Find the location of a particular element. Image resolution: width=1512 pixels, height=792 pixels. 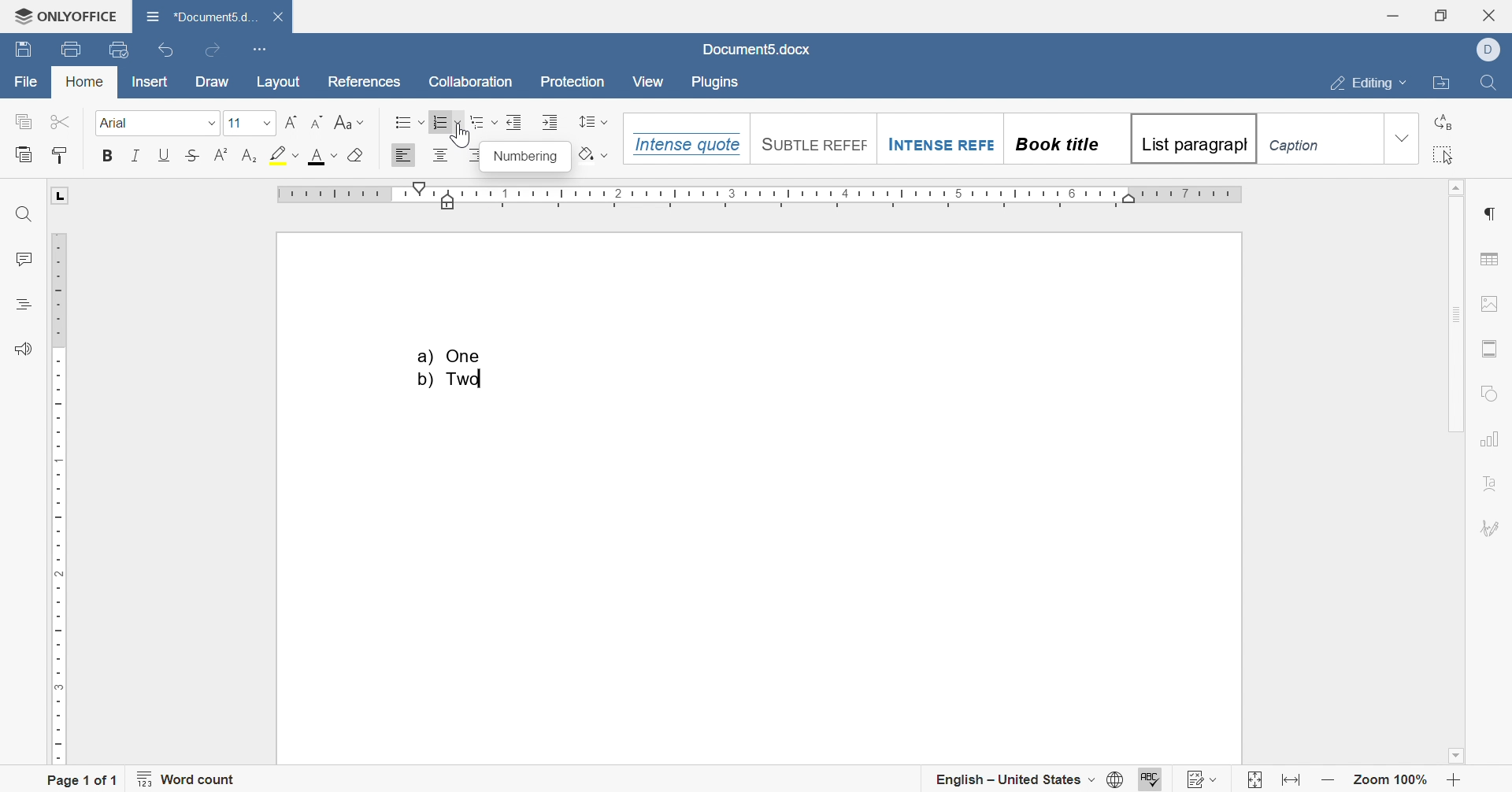

headings is located at coordinates (23, 304).